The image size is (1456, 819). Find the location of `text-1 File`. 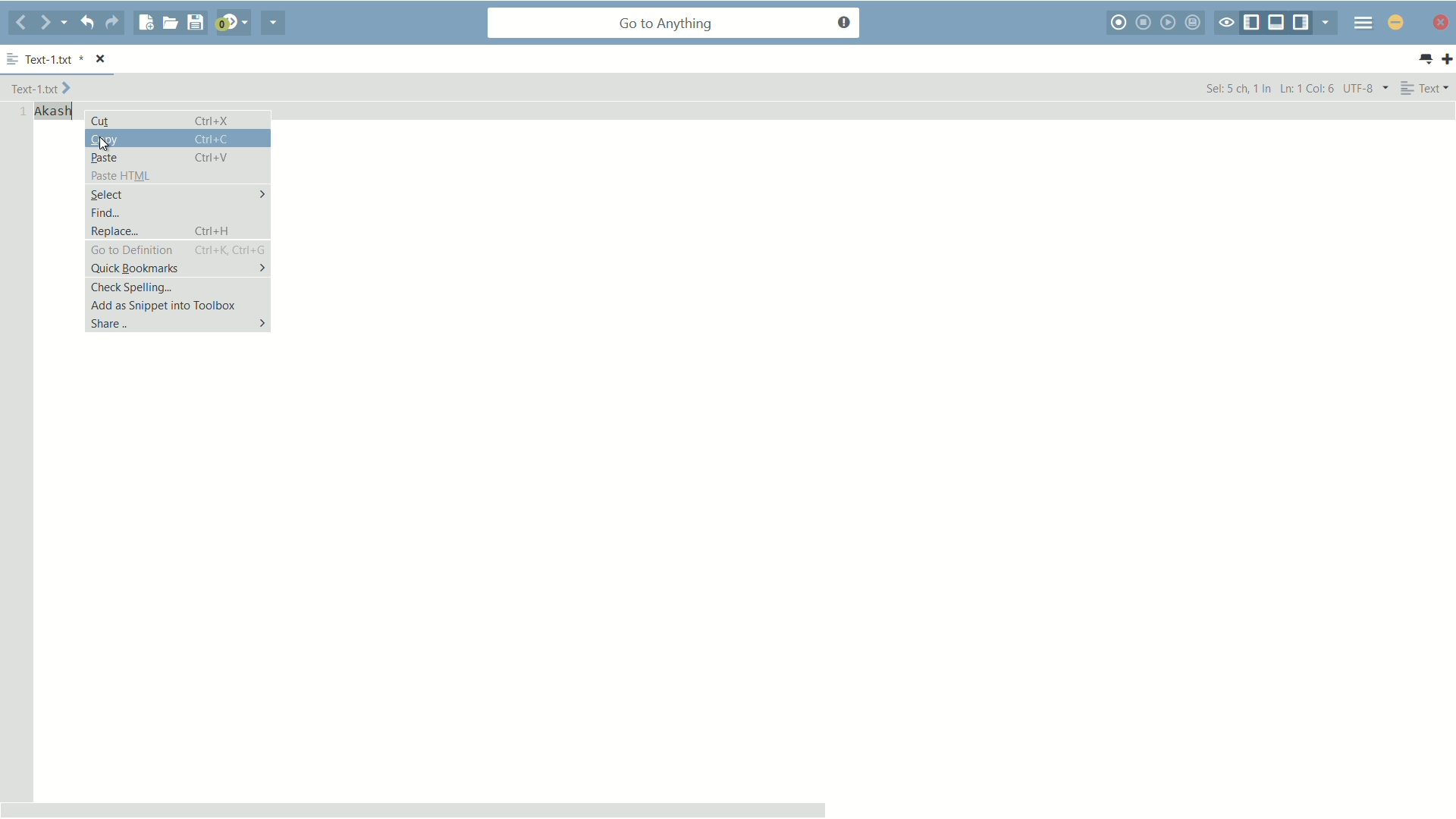

text-1 File is located at coordinates (41, 87).